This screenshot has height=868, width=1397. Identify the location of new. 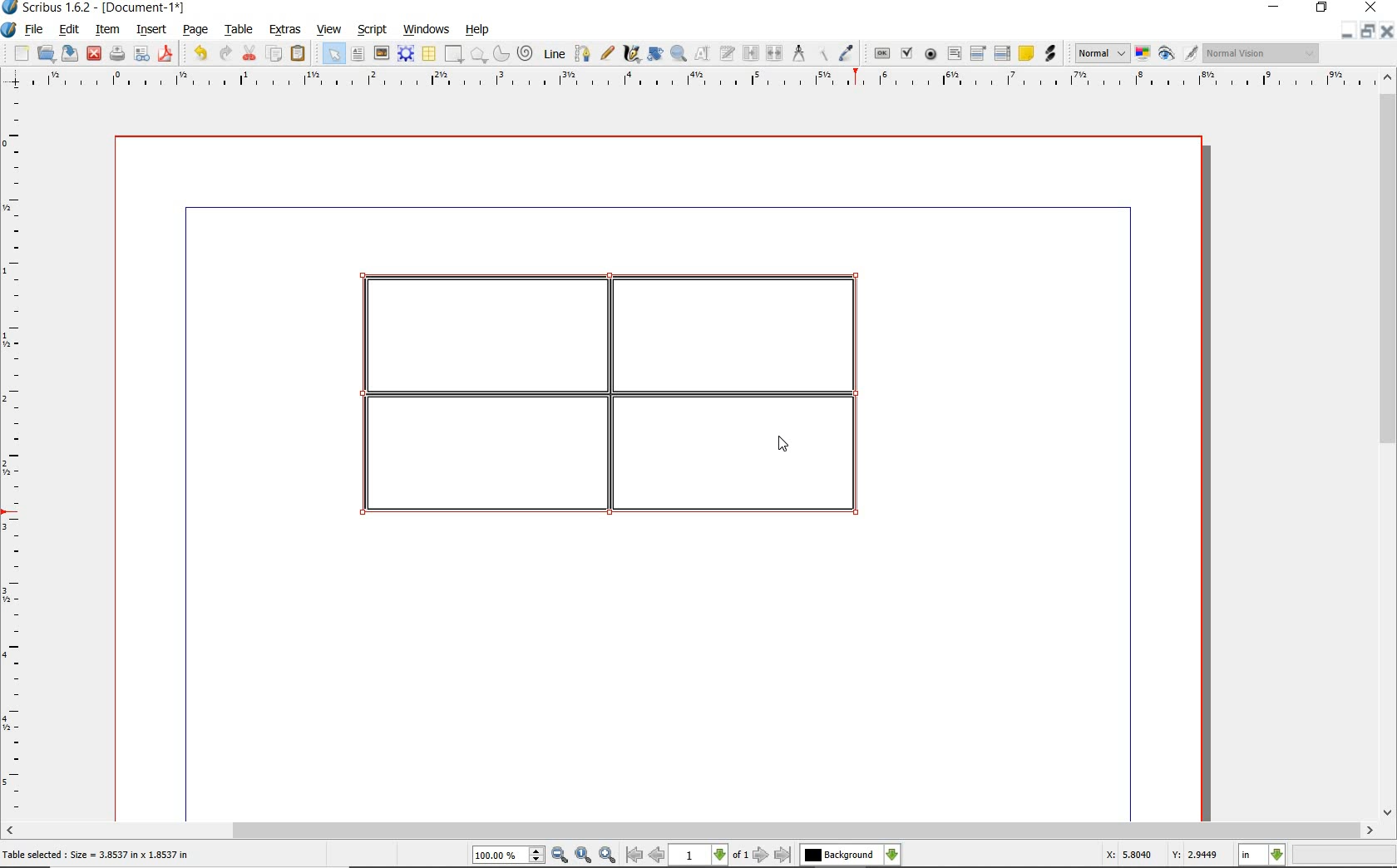
(22, 55).